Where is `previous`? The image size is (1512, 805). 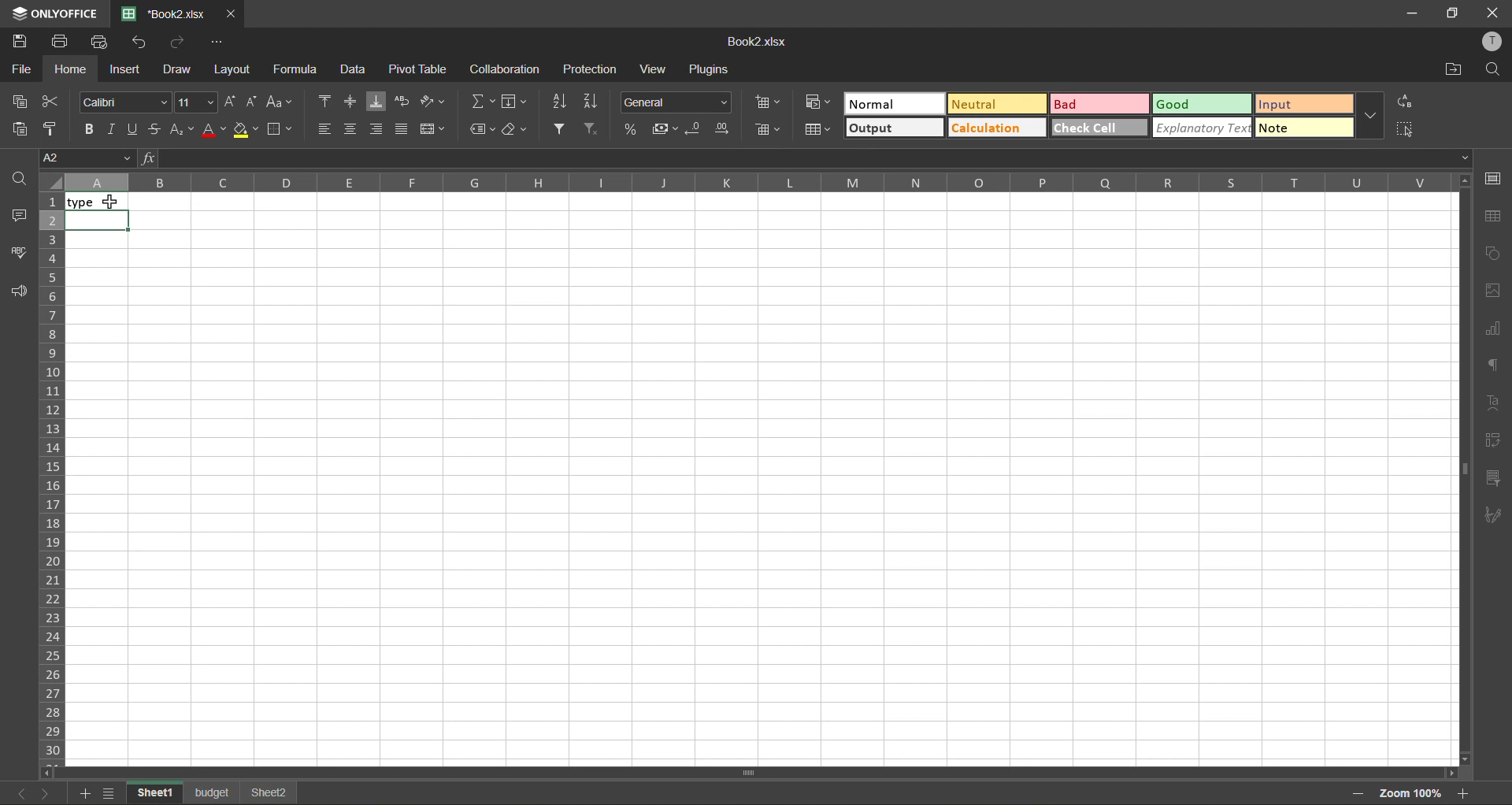 previous is located at coordinates (16, 796).